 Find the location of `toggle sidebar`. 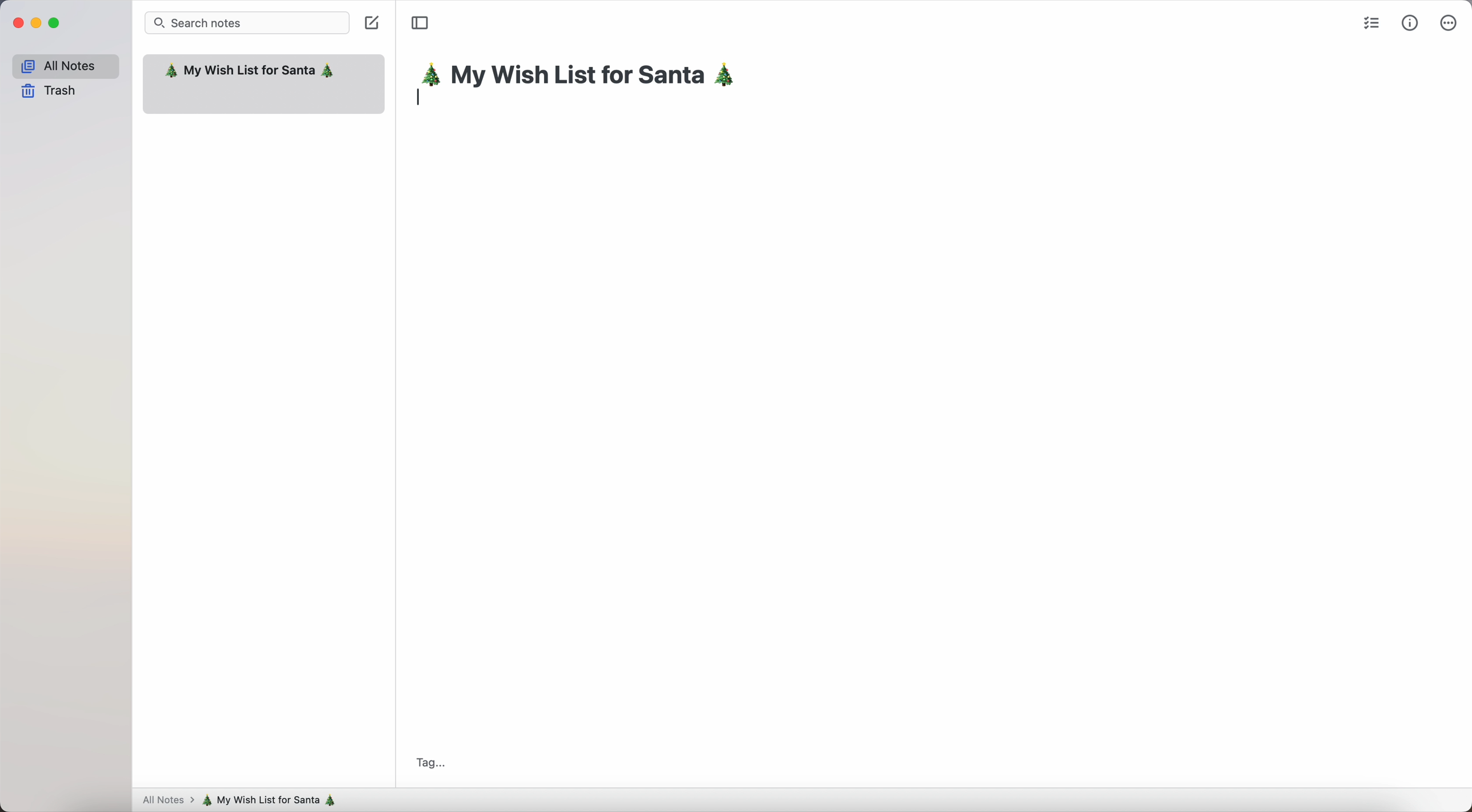

toggle sidebar is located at coordinates (419, 23).